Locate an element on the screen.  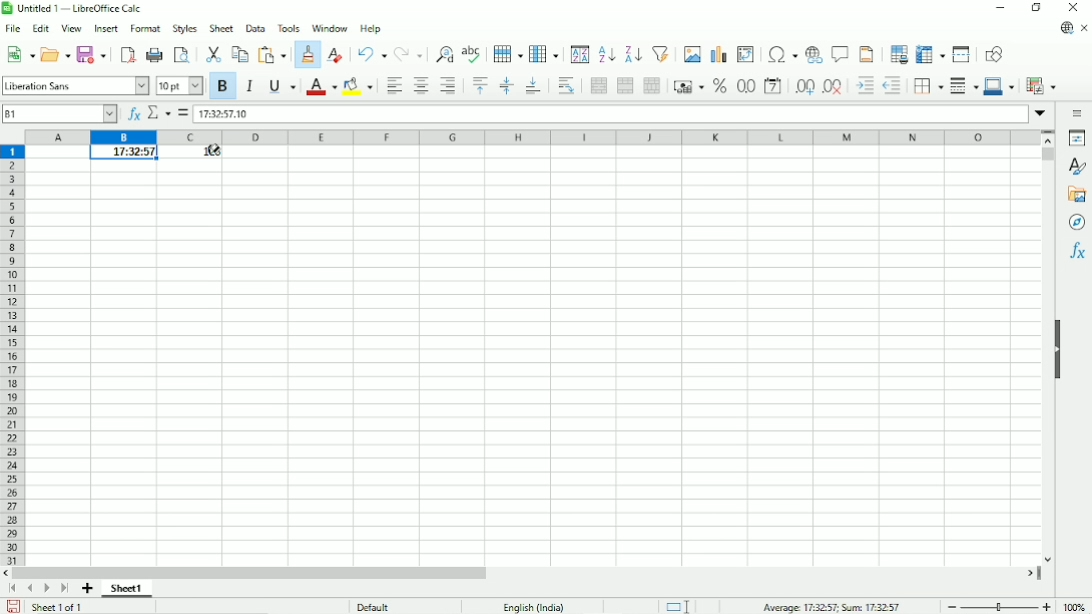
Restore down is located at coordinates (1037, 7).